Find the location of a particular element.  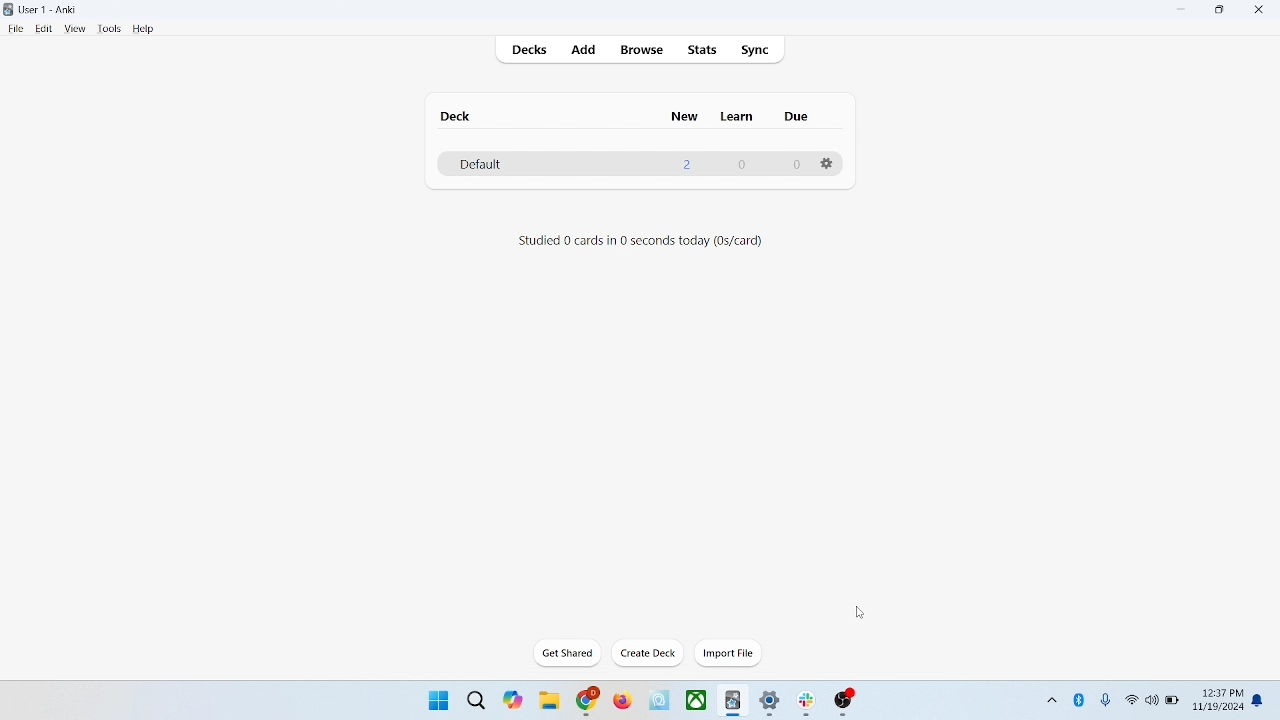

new is located at coordinates (685, 116).